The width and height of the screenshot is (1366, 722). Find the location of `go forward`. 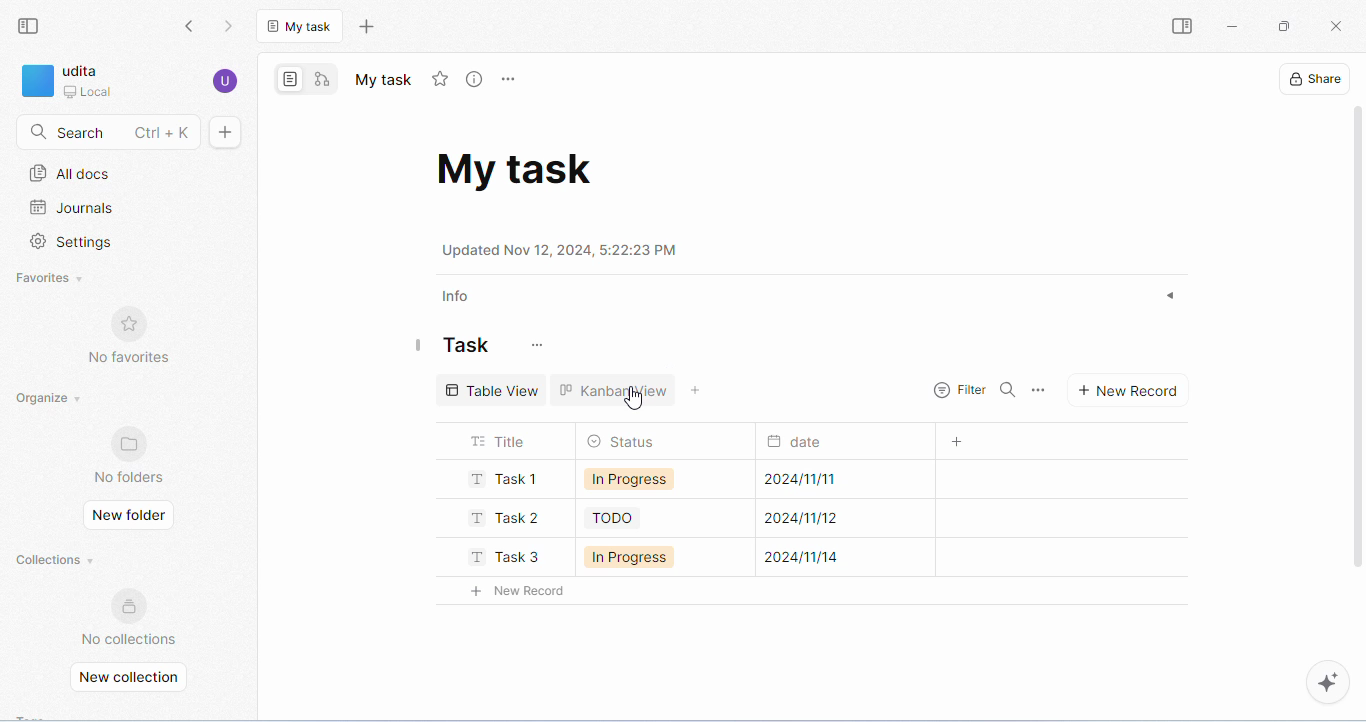

go forward is located at coordinates (234, 25).